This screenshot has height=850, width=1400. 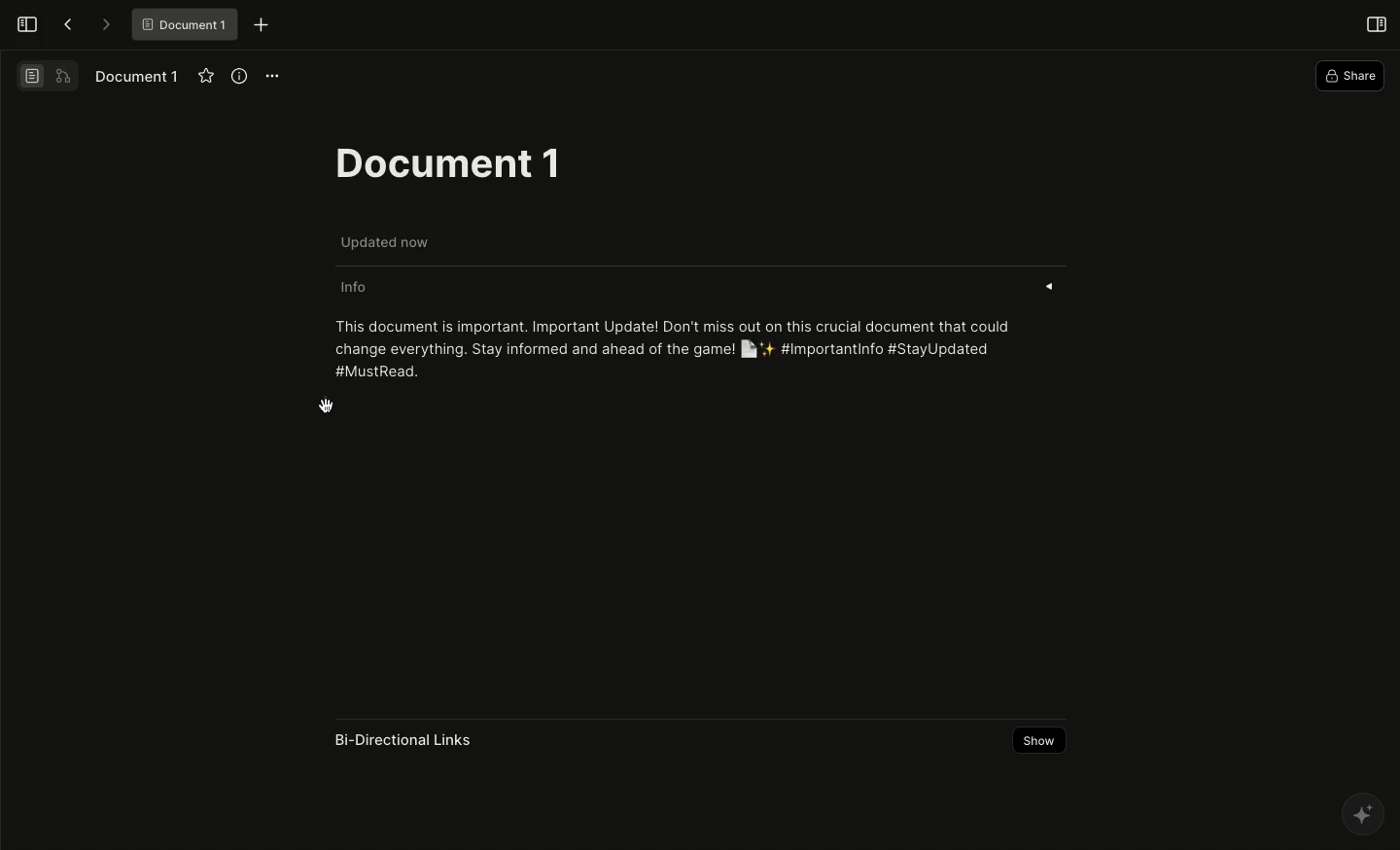 I want to click on Document 1, so click(x=135, y=78).